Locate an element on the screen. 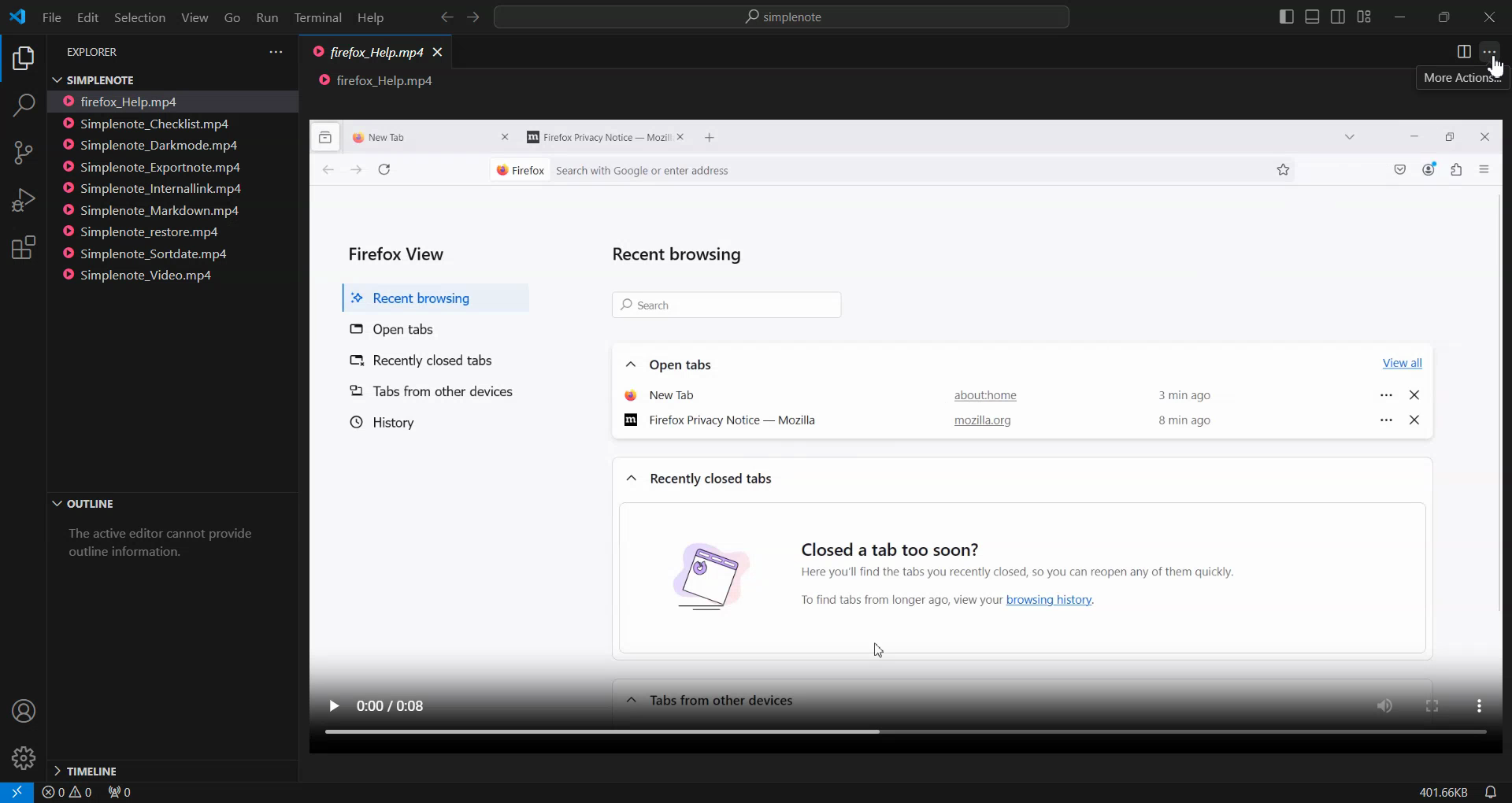 The image size is (1512, 803). Simplenote_Darkmode.mp4 is located at coordinates (153, 145).